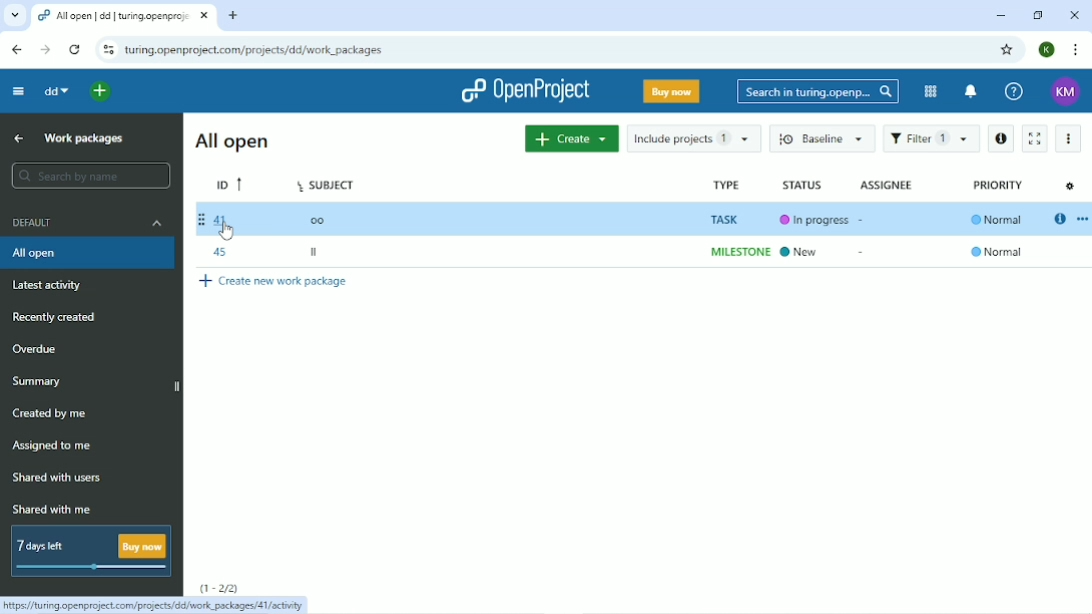 The image size is (1092, 614). I want to click on Up, so click(18, 137).